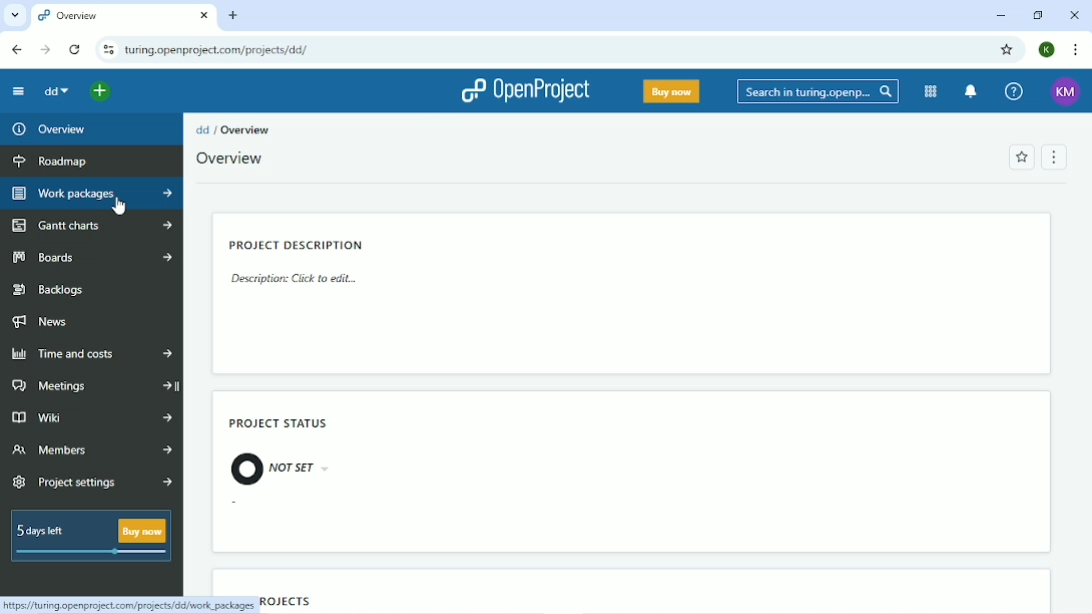  What do you see at coordinates (1049, 49) in the screenshot?
I see `Account` at bounding box center [1049, 49].